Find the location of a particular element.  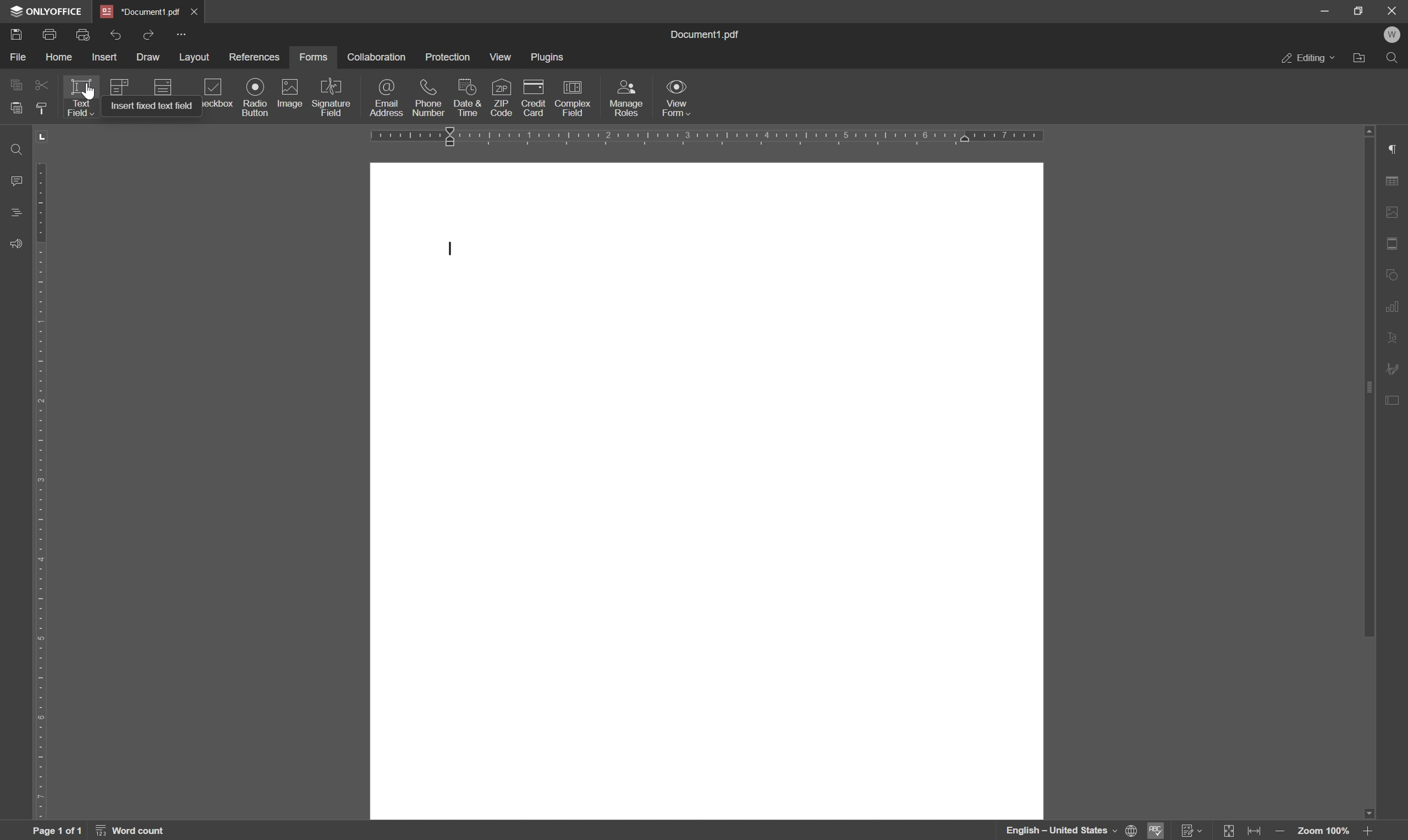

image is located at coordinates (289, 94).